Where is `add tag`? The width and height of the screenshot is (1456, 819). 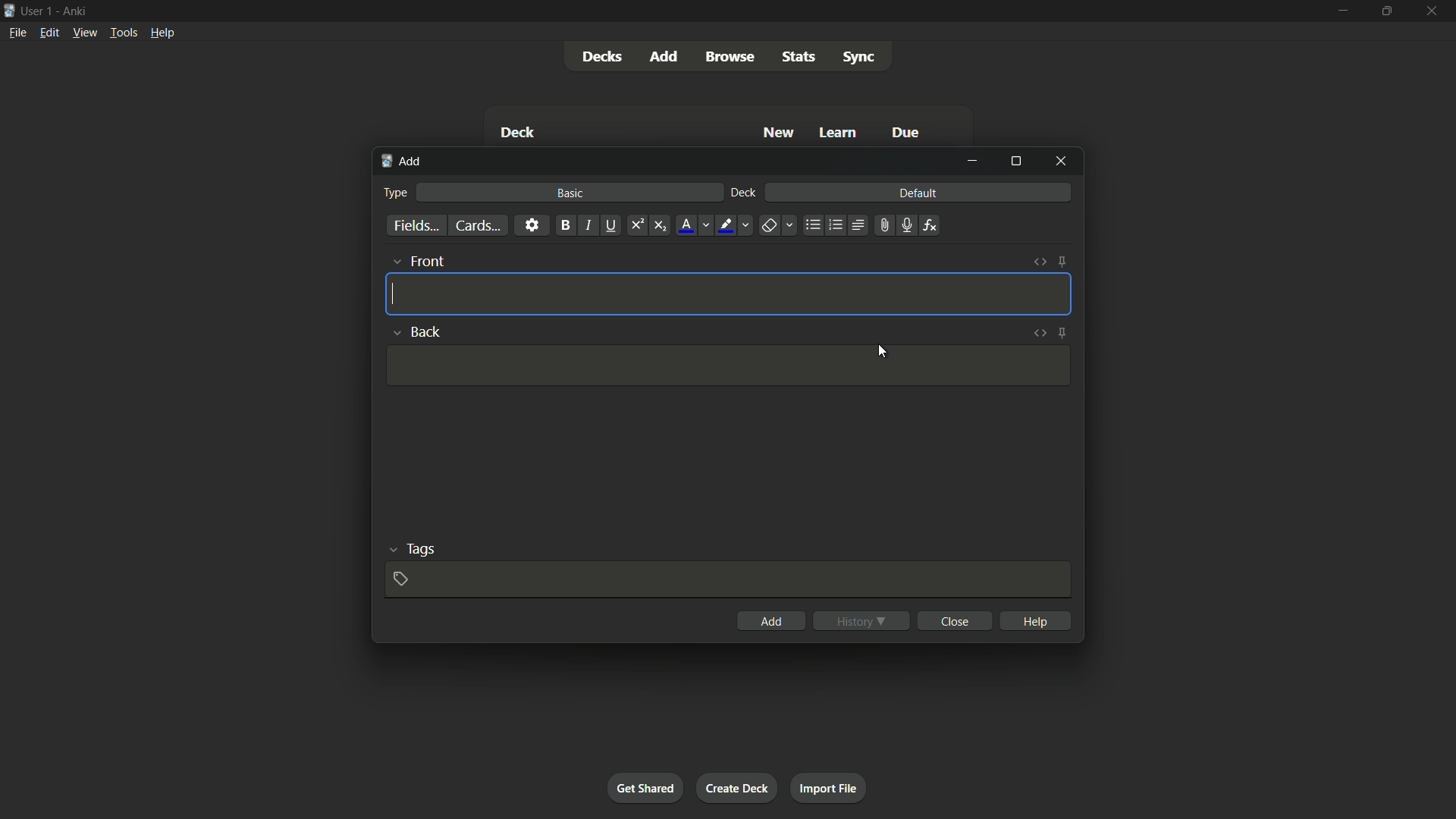
add tag is located at coordinates (400, 579).